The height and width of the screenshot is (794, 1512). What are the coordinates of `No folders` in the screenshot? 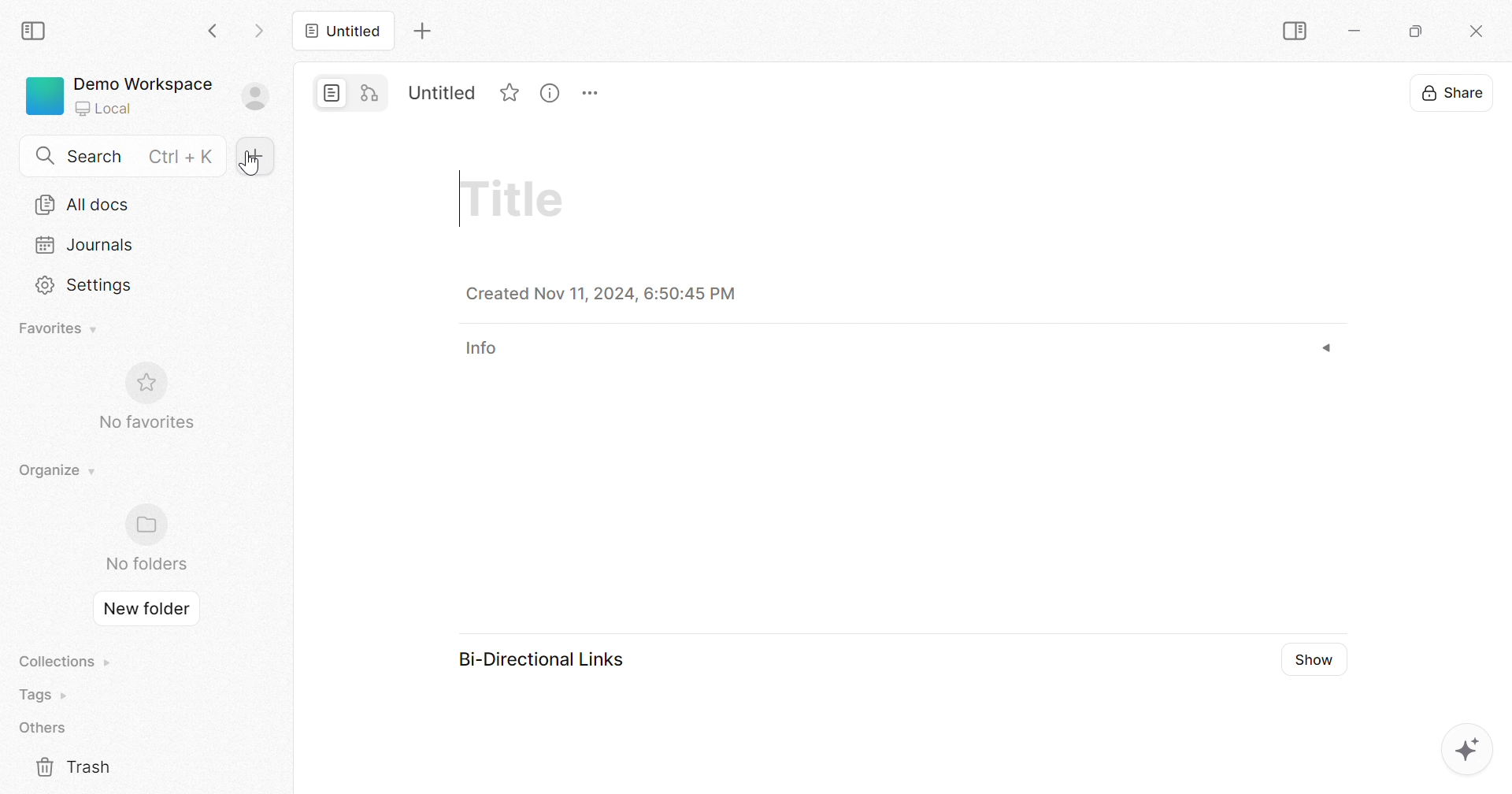 It's located at (146, 563).